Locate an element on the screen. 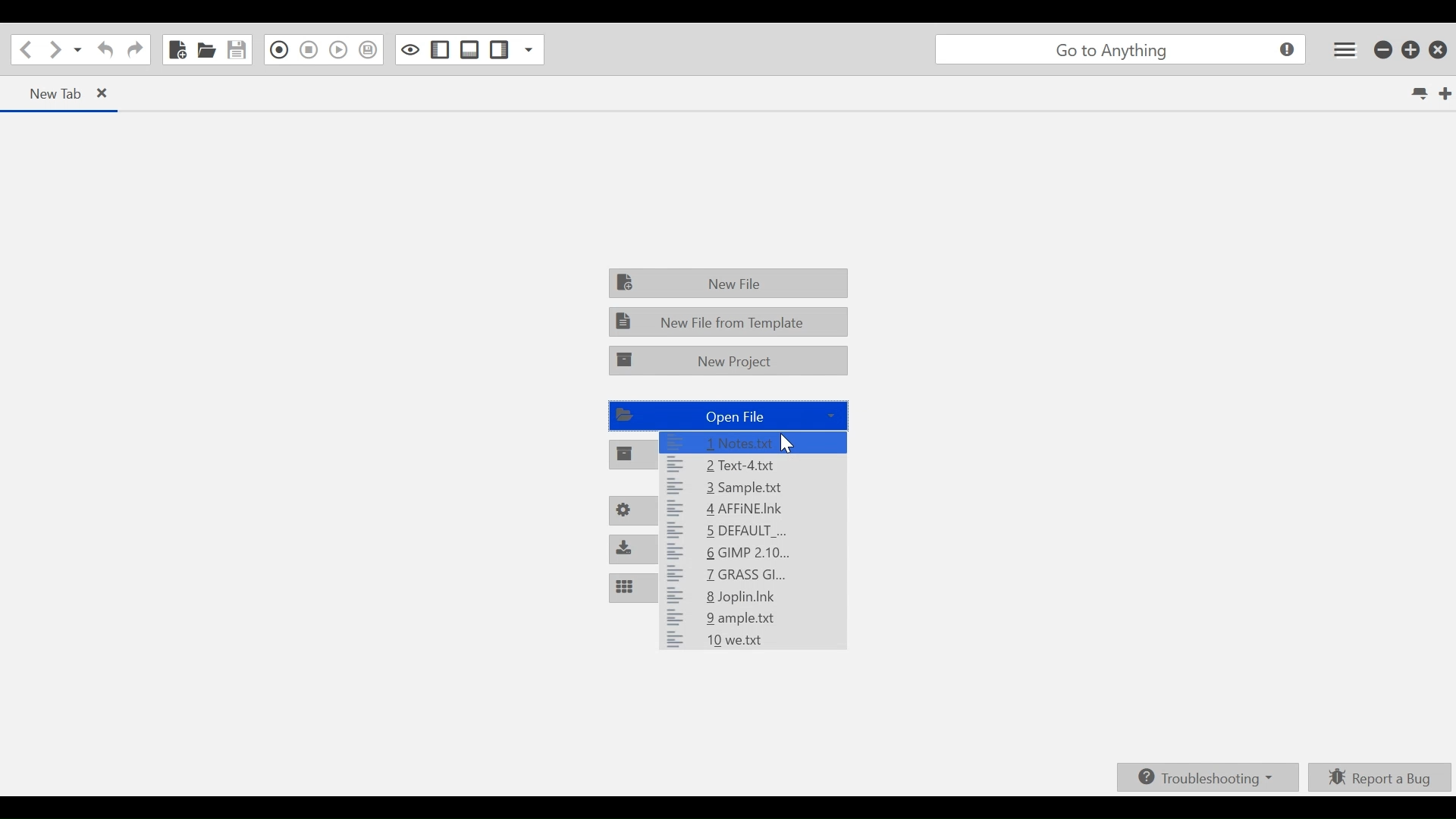 The height and width of the screenshot is (819, 1456). 9 ample.txt is located at coordinates (749, 617).